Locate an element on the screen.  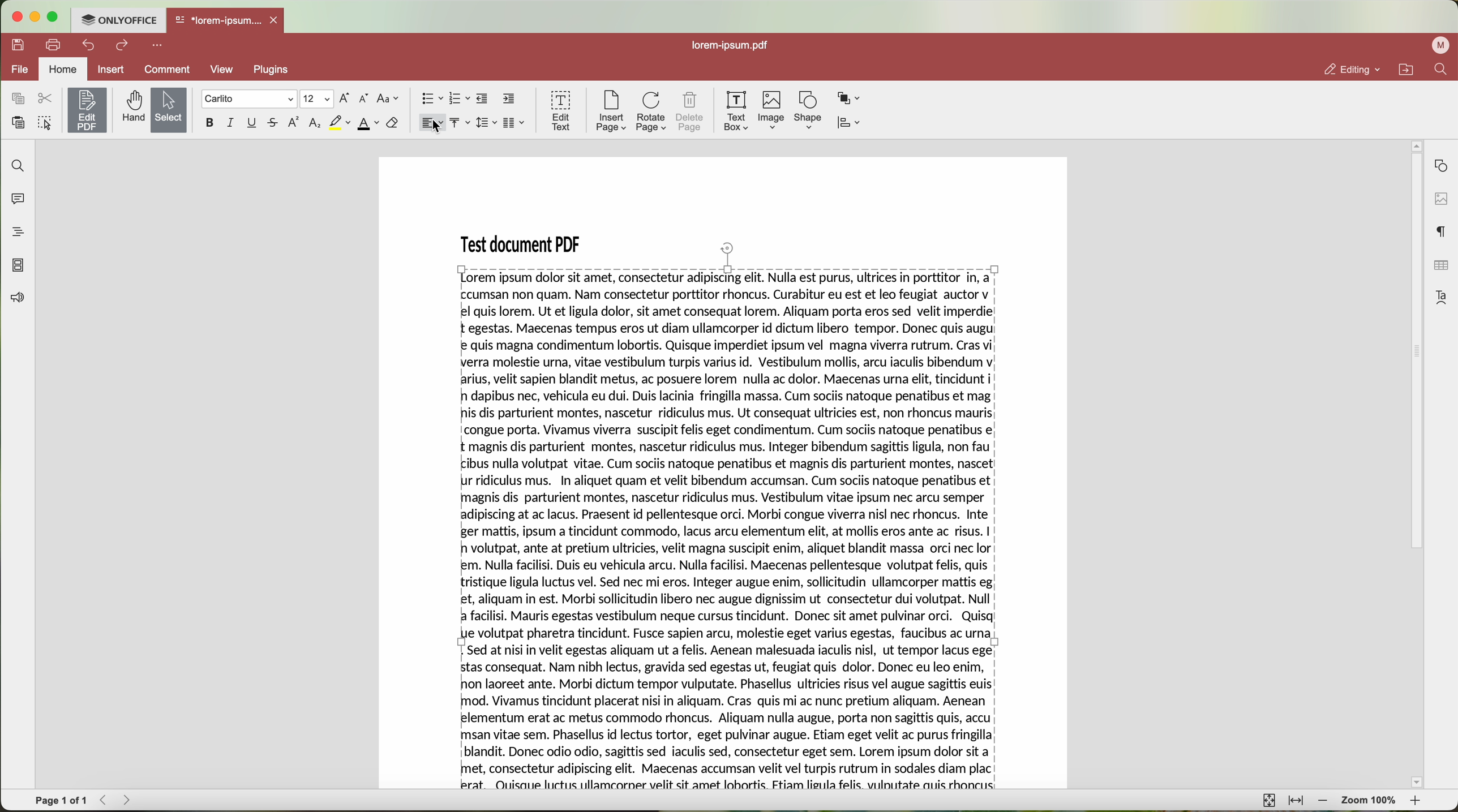
open file location is located at coordinates (1405, 69).